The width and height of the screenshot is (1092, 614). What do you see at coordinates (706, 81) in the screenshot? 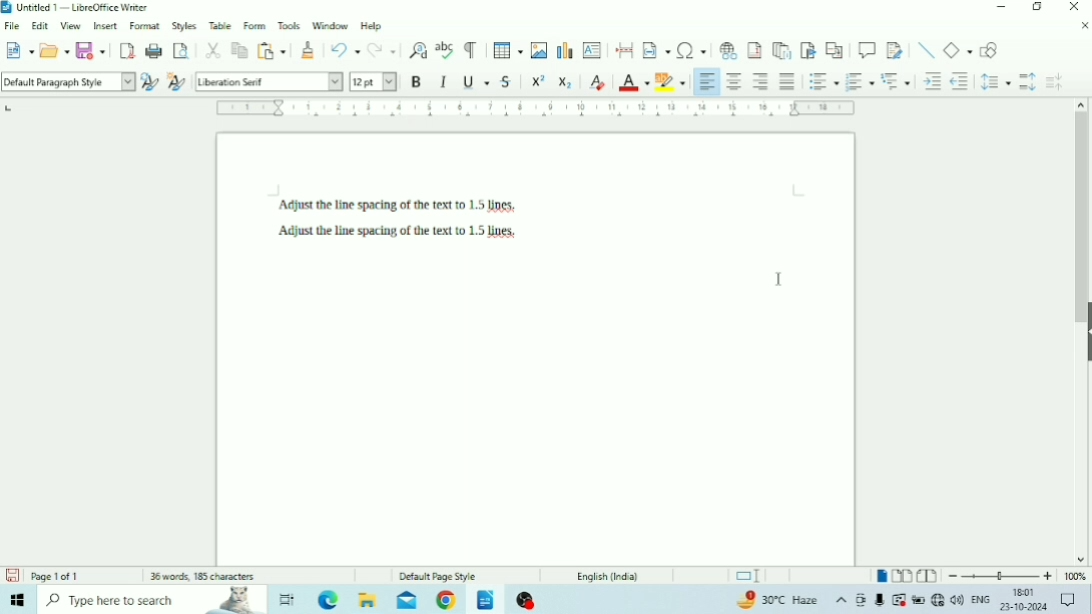
I see `Align Left` at bounding box center [706, 81].